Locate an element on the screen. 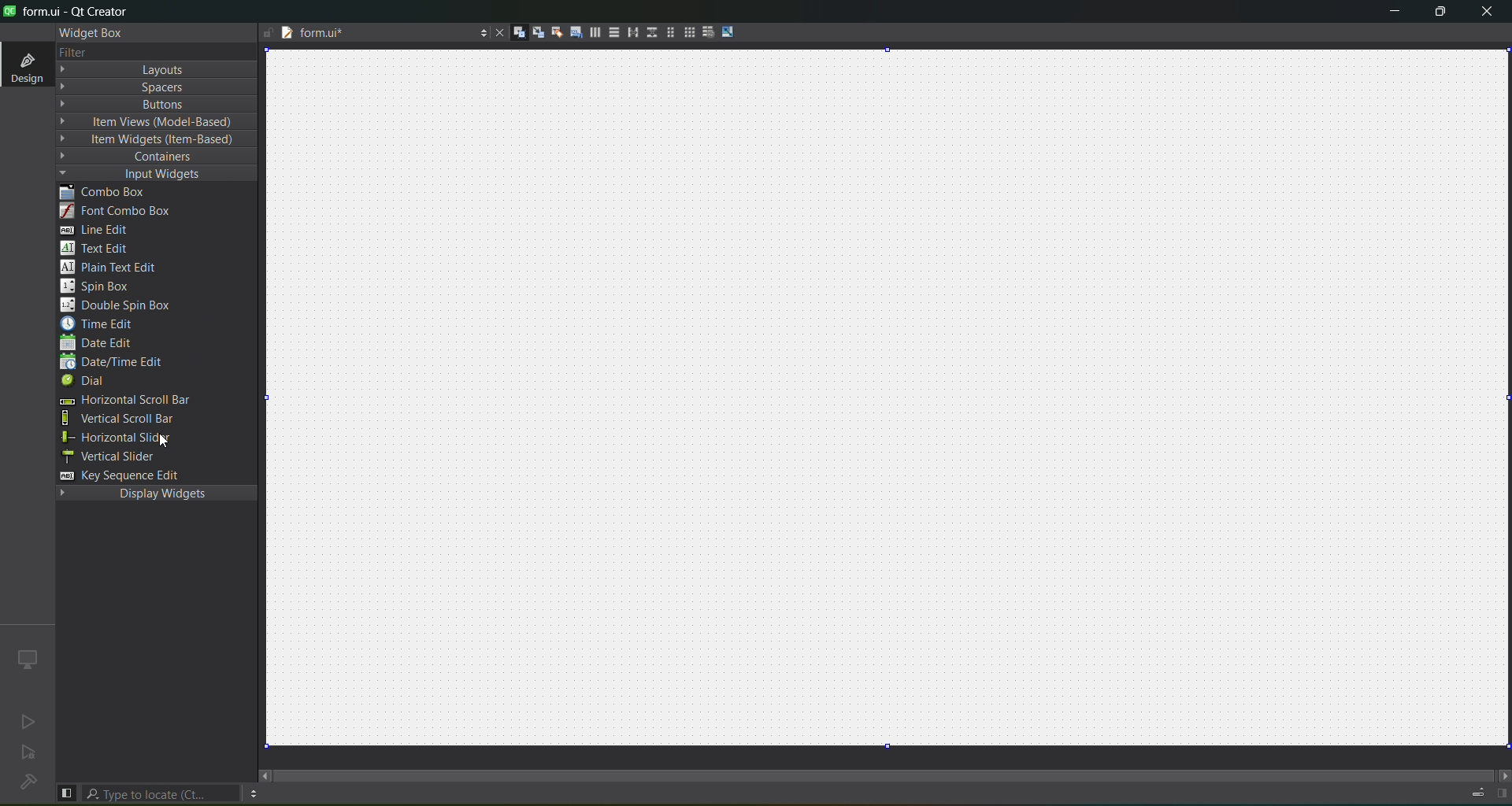  filter is located at coordinates (70, 52).